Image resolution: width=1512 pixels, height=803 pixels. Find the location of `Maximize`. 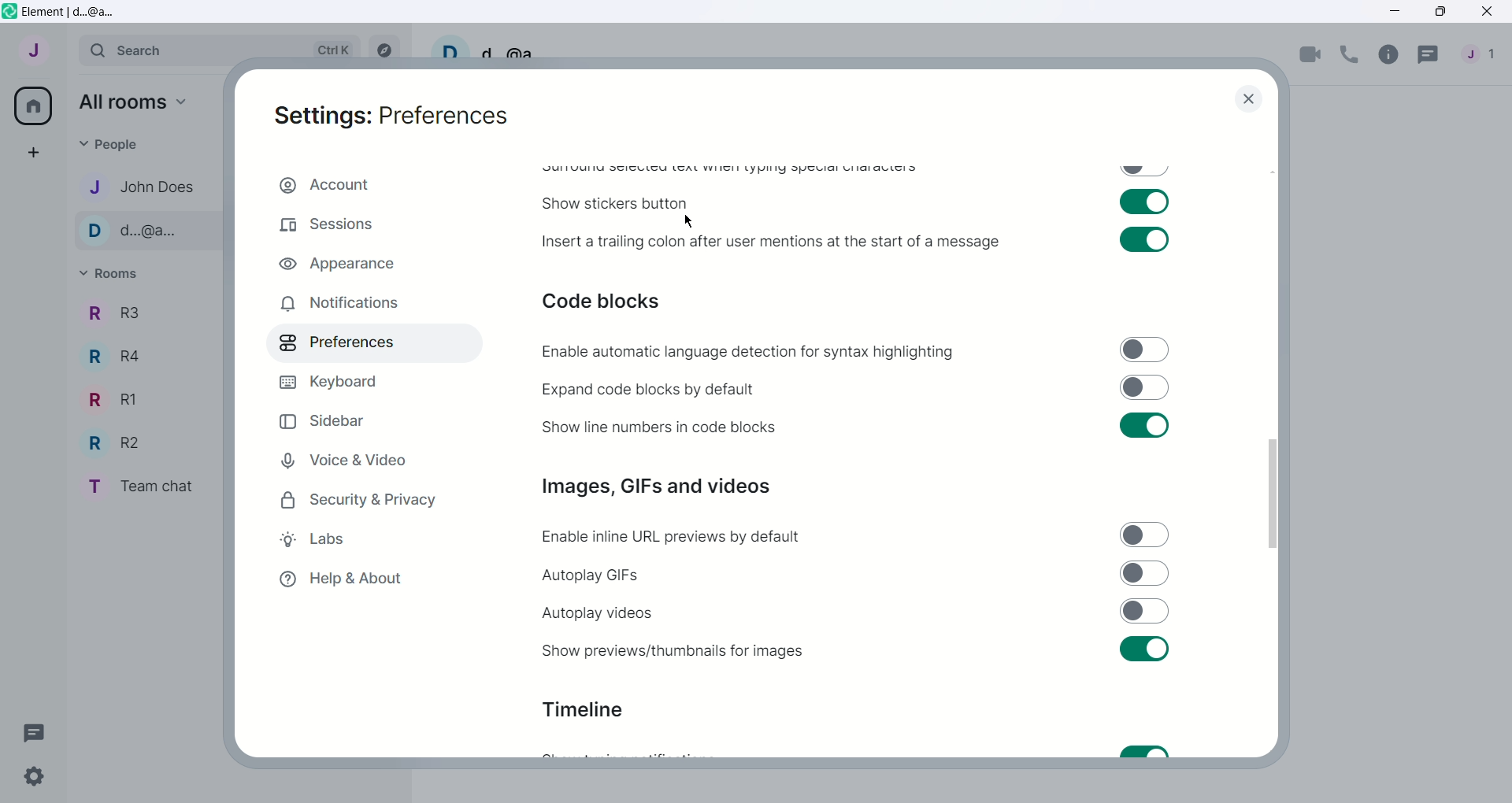

Maximize is located at coordinates (1443, 11).